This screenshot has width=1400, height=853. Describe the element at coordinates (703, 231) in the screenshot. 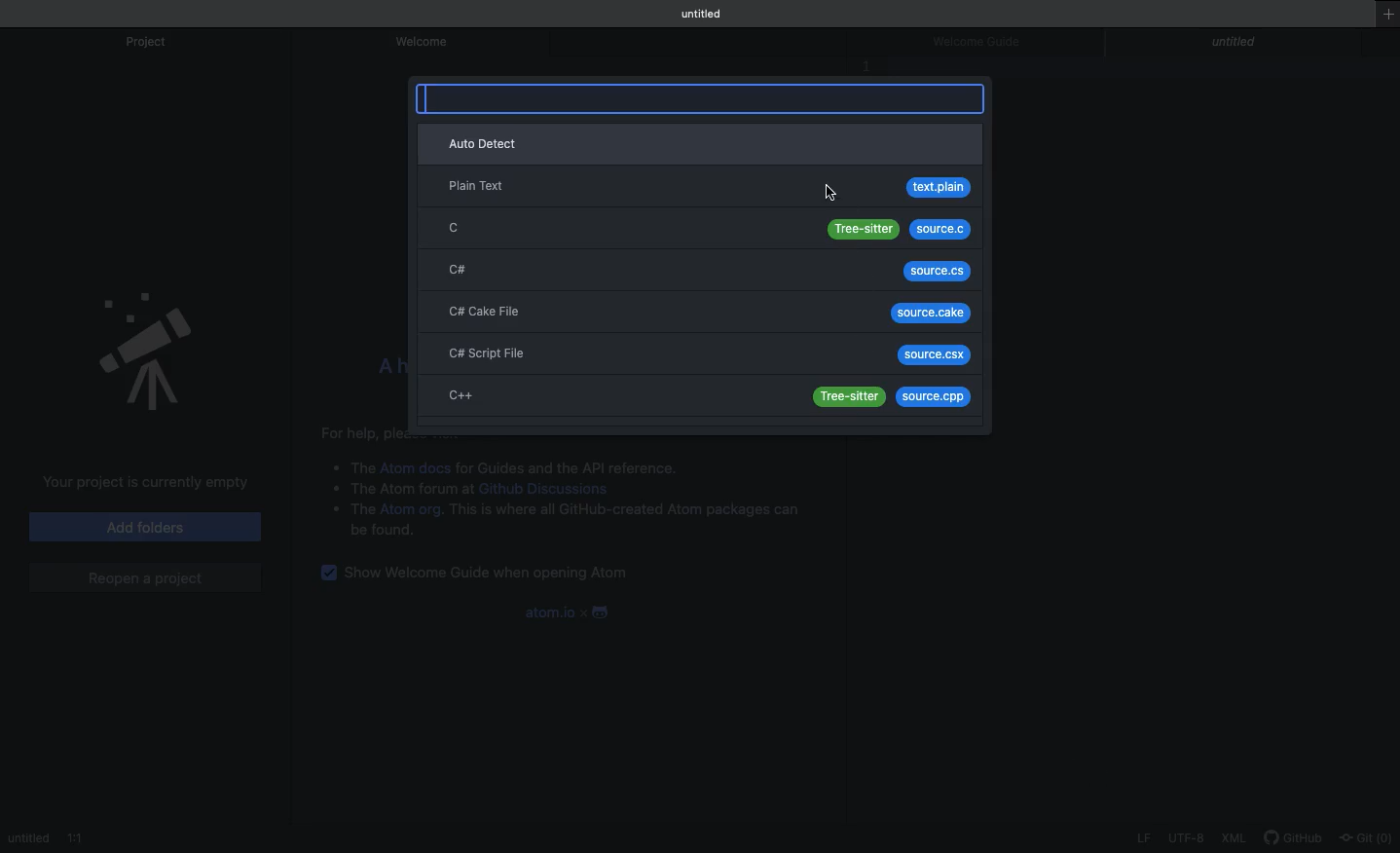

I see `C -coding` at that location.